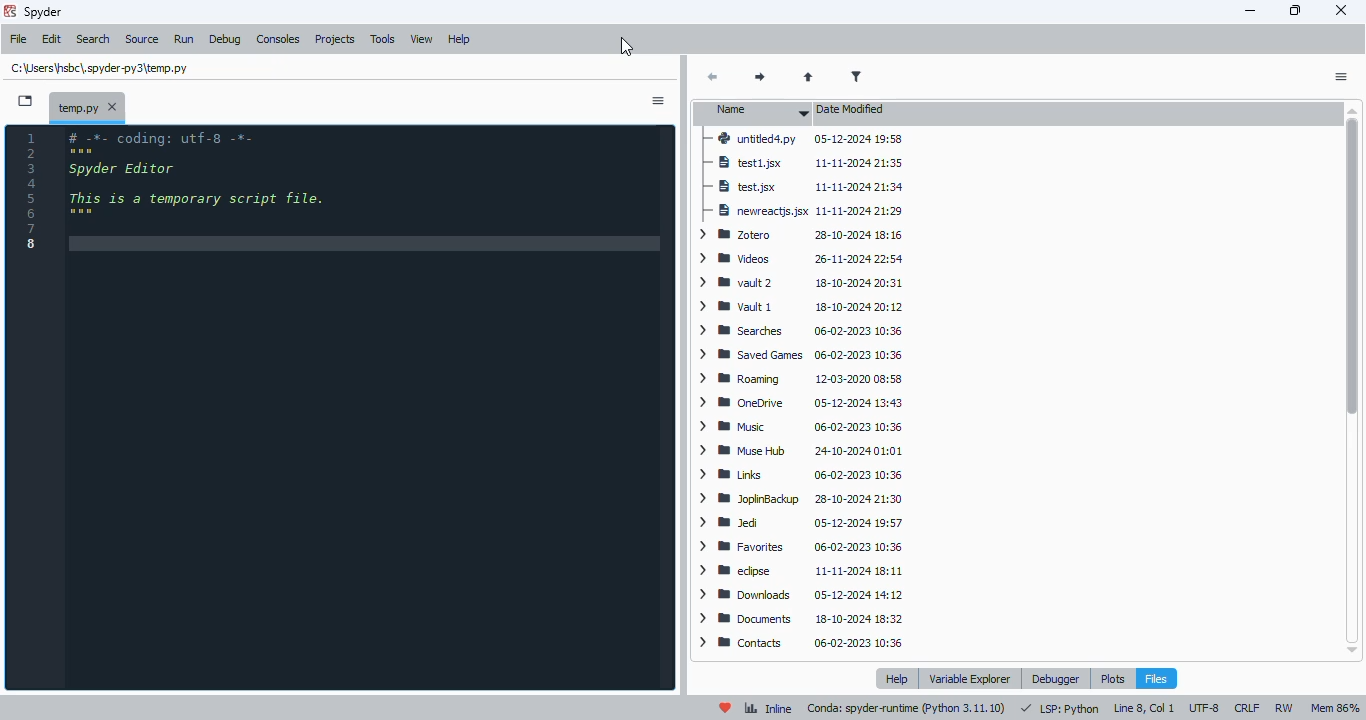 The height and width of the screenshot is (720, 1366). I want to click on Zotero, so click(801, 234).